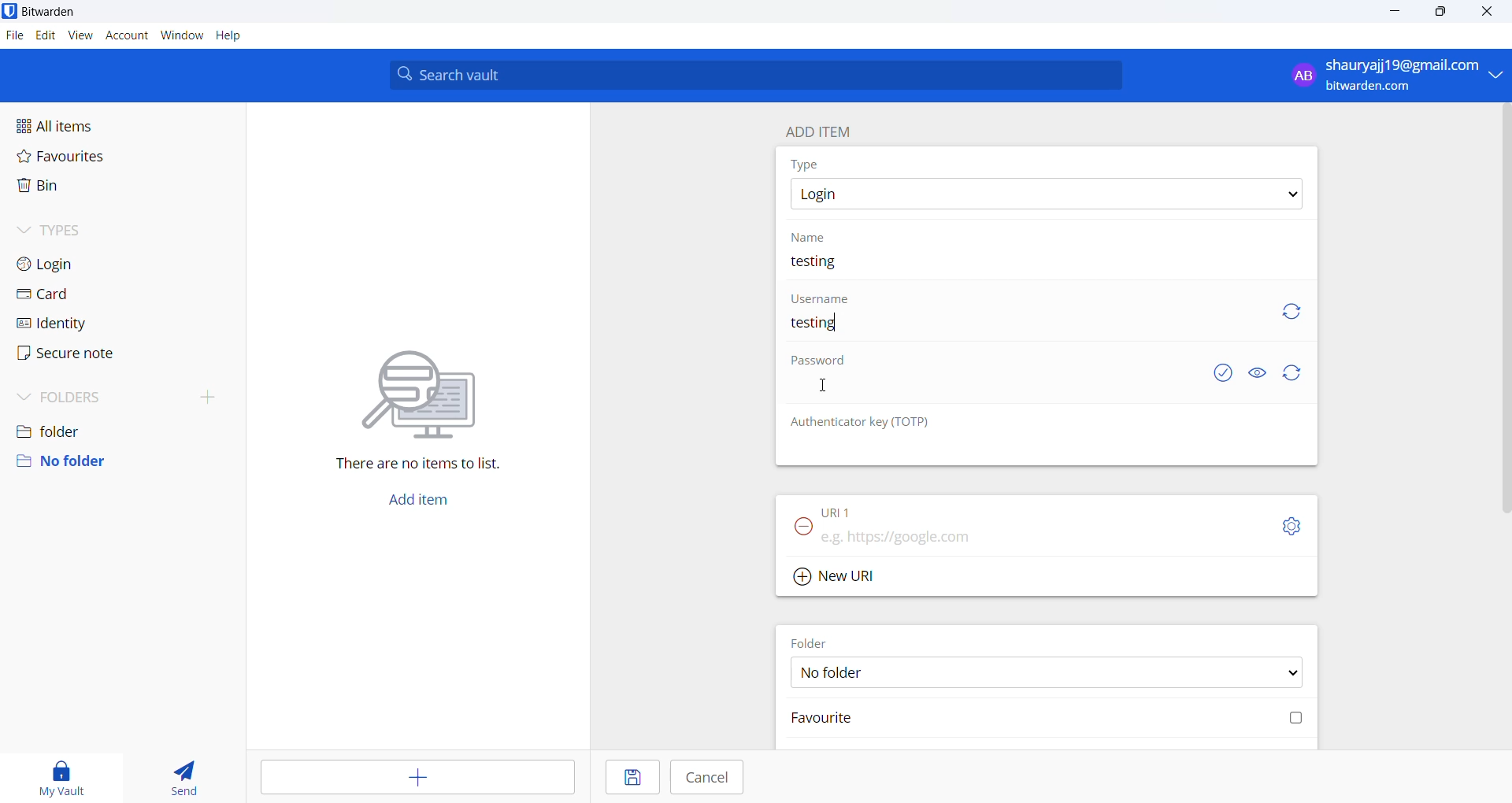  Describe the element at coordinates (823, 385) in the screenshot. I see `cursor` at that location.